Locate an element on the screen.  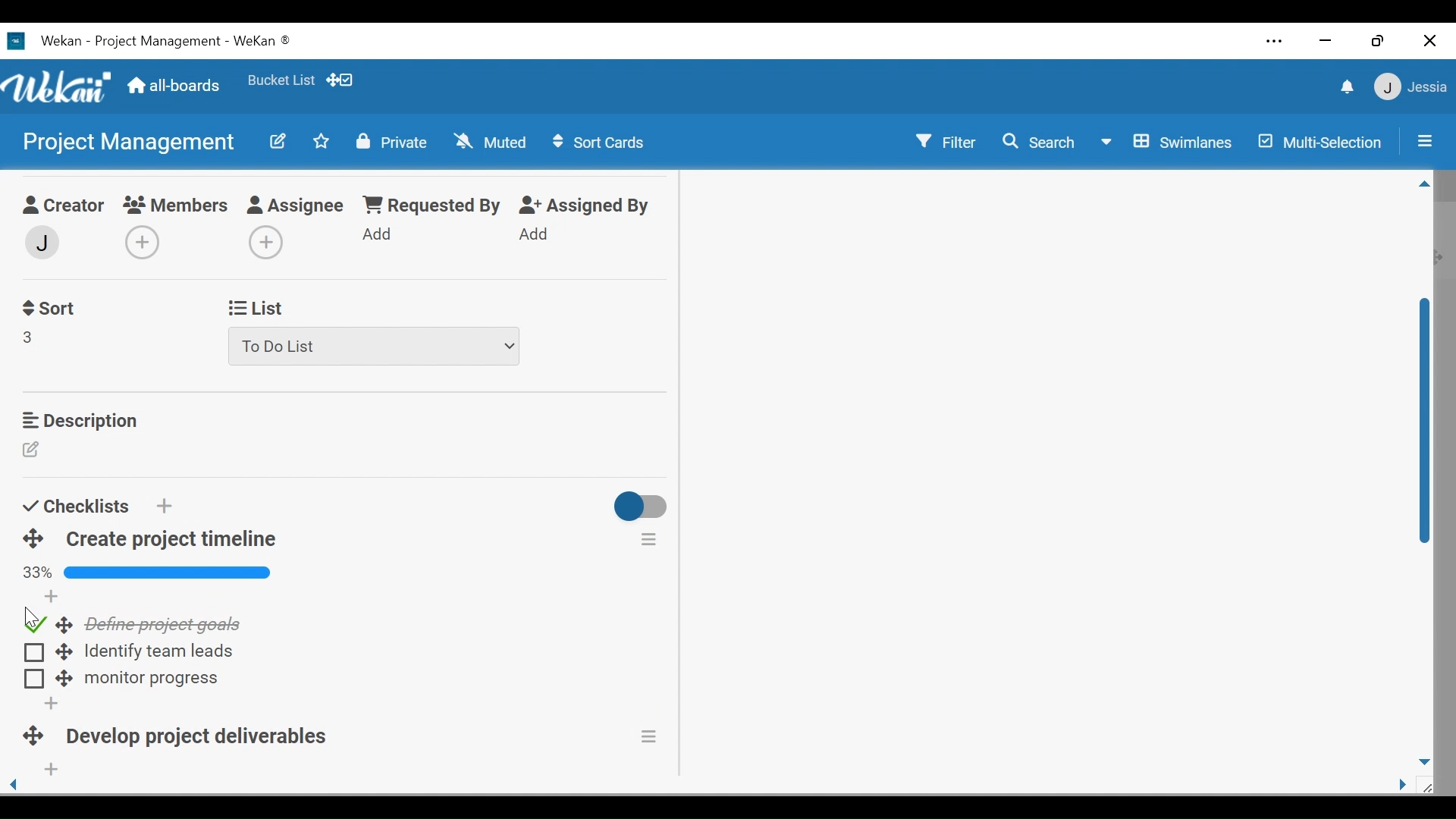
Favorite is located at coordinates (281, 80).